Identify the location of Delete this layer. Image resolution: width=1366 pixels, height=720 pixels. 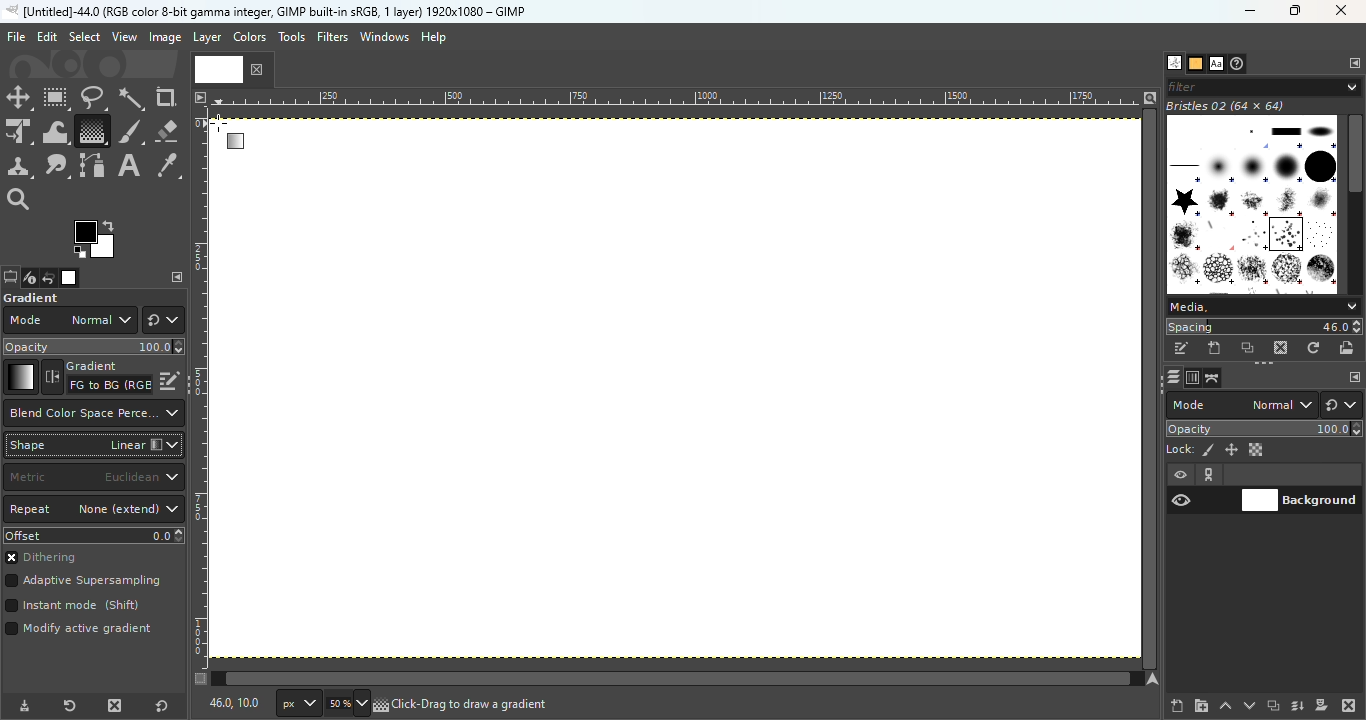
(1350, 706).